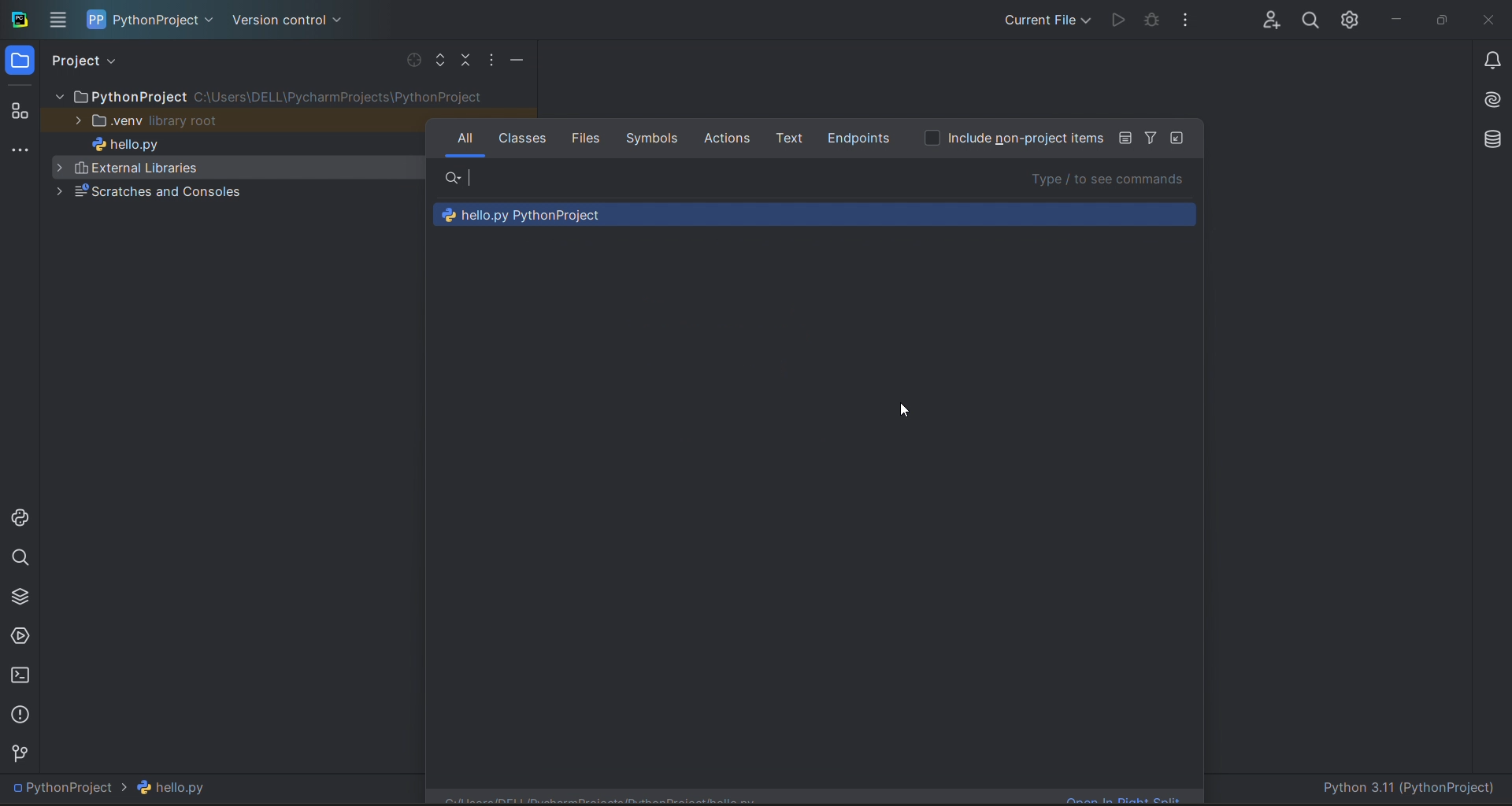  I want to click on structur, so click(20, 110).